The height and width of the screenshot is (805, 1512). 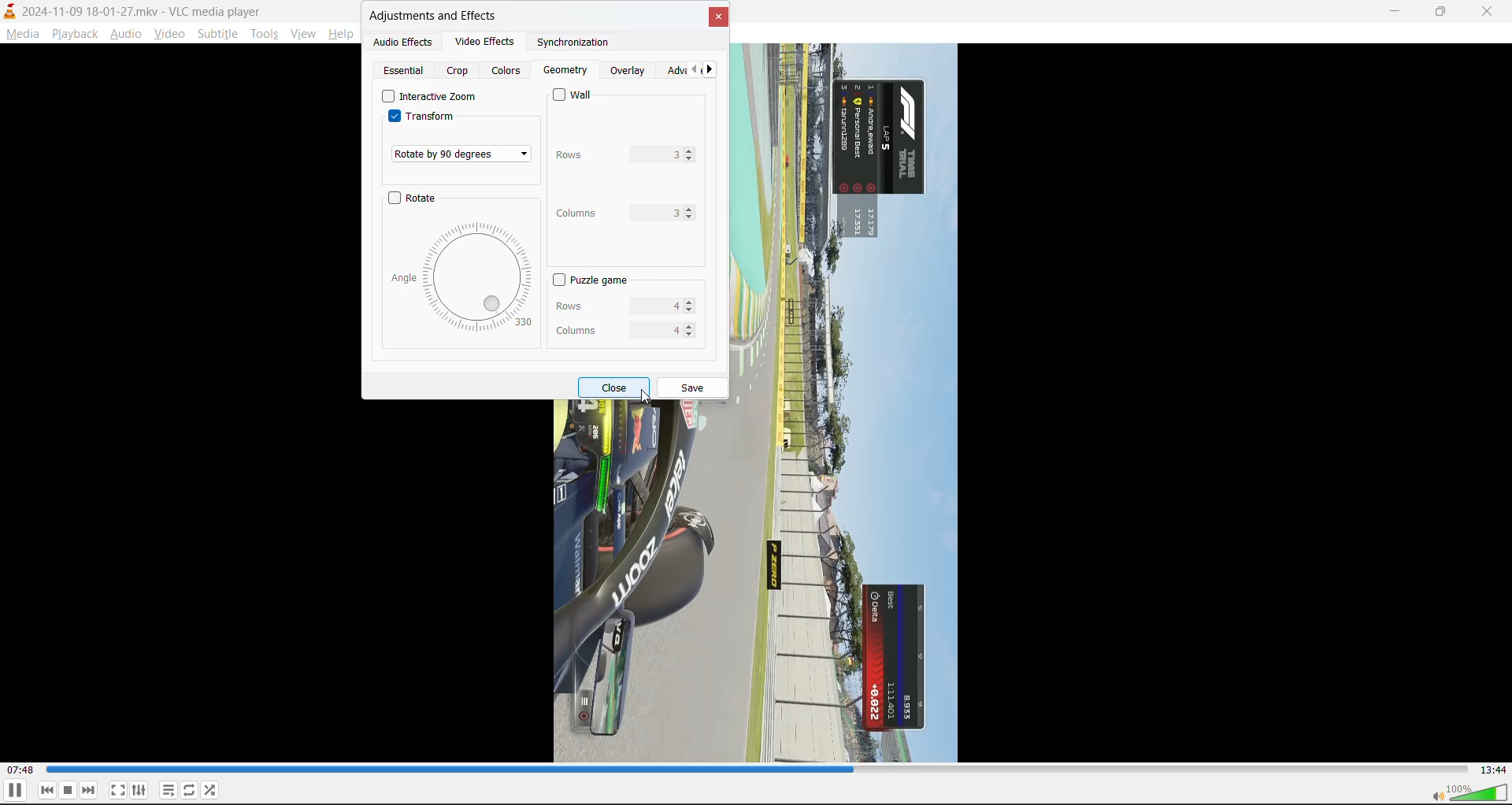 I want to click on geometry, so click(x=569, y=71).